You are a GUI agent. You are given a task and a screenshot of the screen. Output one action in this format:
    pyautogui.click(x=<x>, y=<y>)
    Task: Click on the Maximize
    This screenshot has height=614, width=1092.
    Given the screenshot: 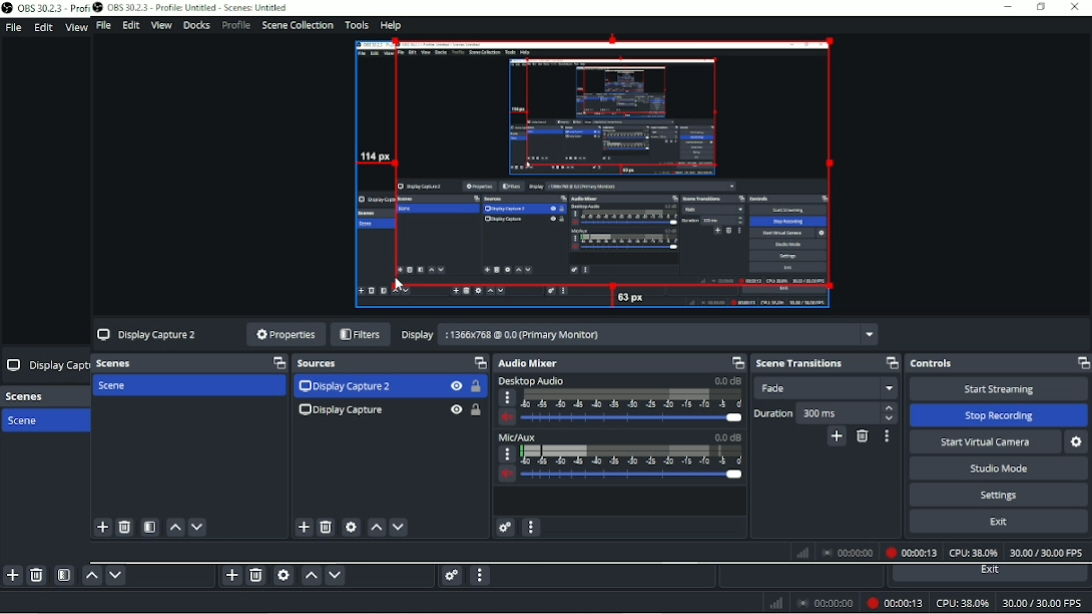 What is the action you would take?
    pyautogui.click(x=892, y=363)
    